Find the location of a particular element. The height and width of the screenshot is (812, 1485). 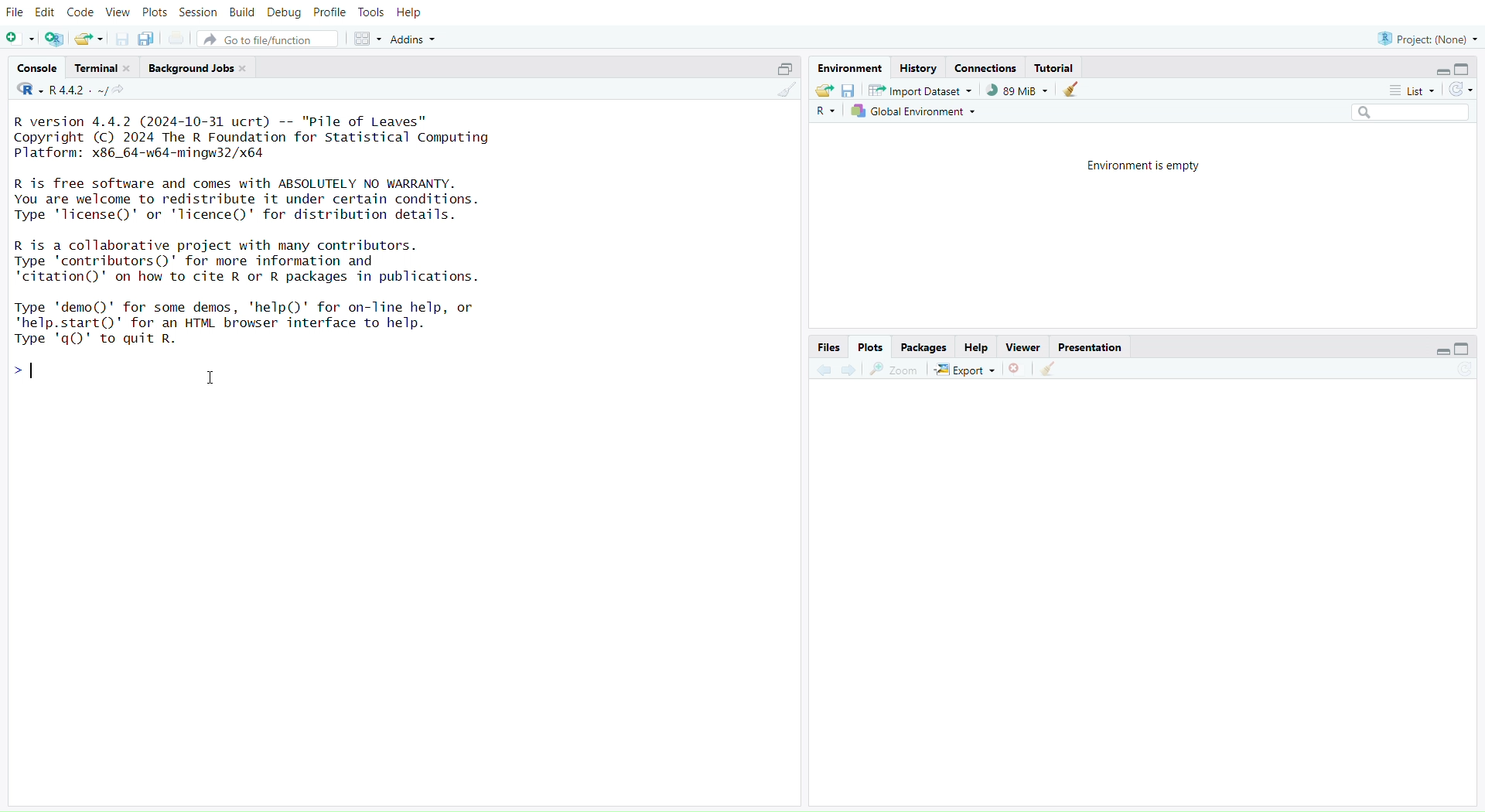

R 4.4.2~/ is located at coordinates (77, 92).